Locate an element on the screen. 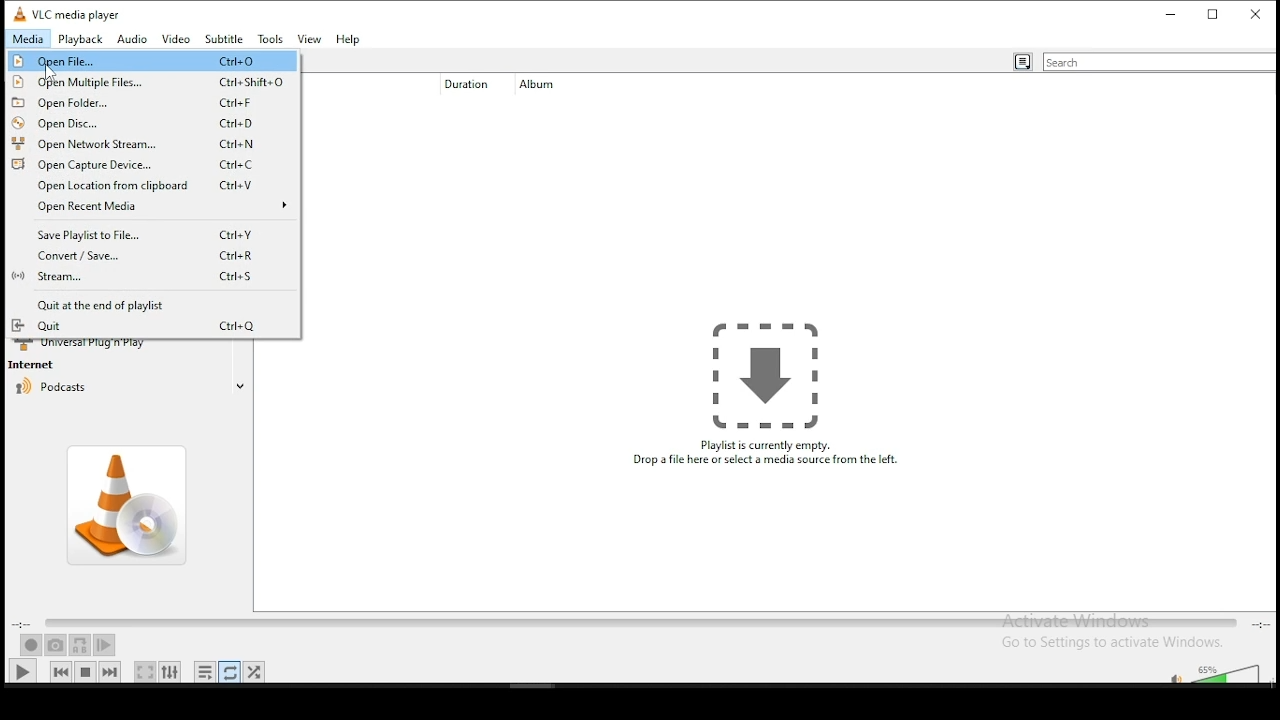 This screenshot has height=720, width=1280. click to toggle between loop al, loop one, and no loop is located at coordinates (230, 672).